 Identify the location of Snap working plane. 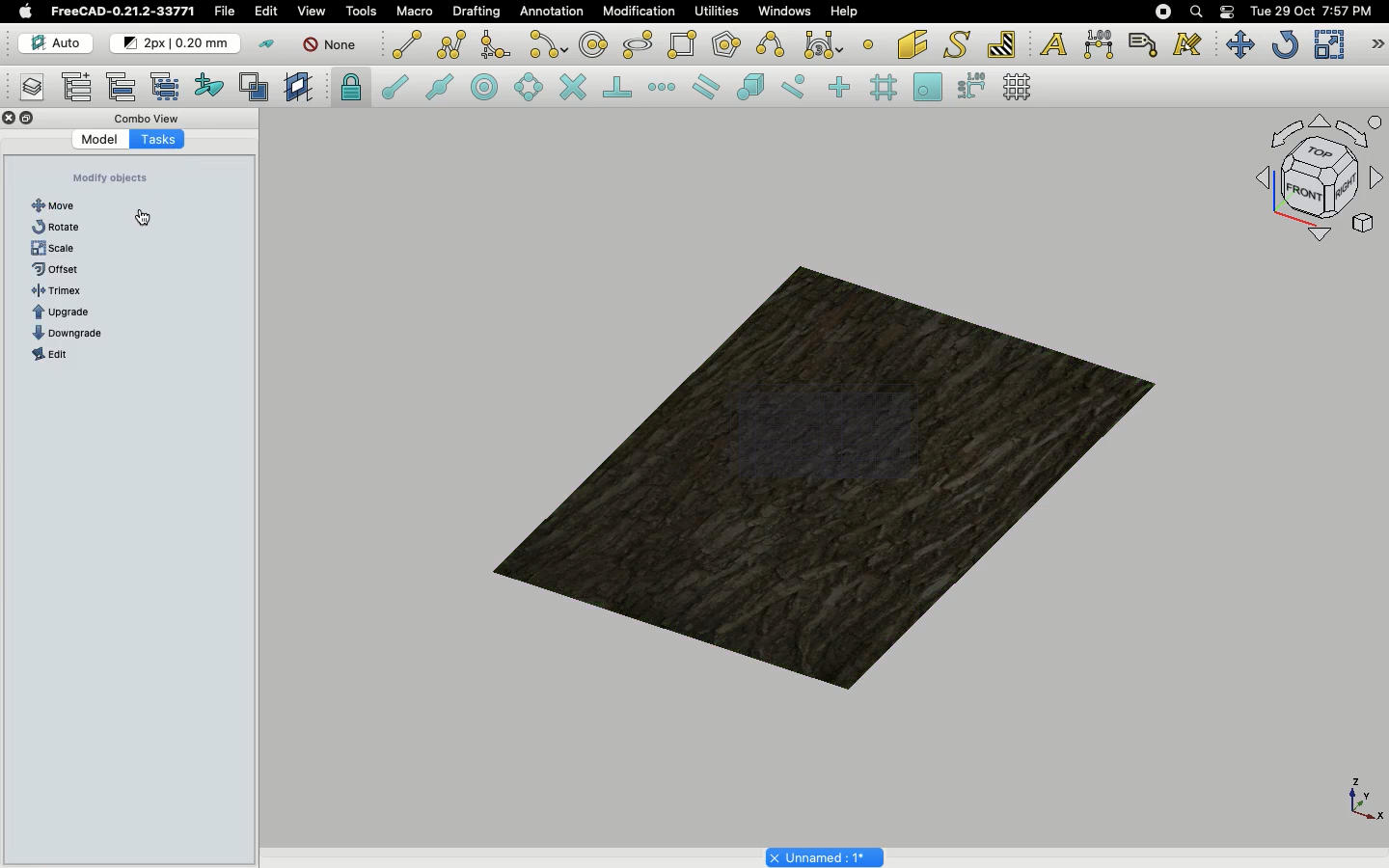
(928, 89).